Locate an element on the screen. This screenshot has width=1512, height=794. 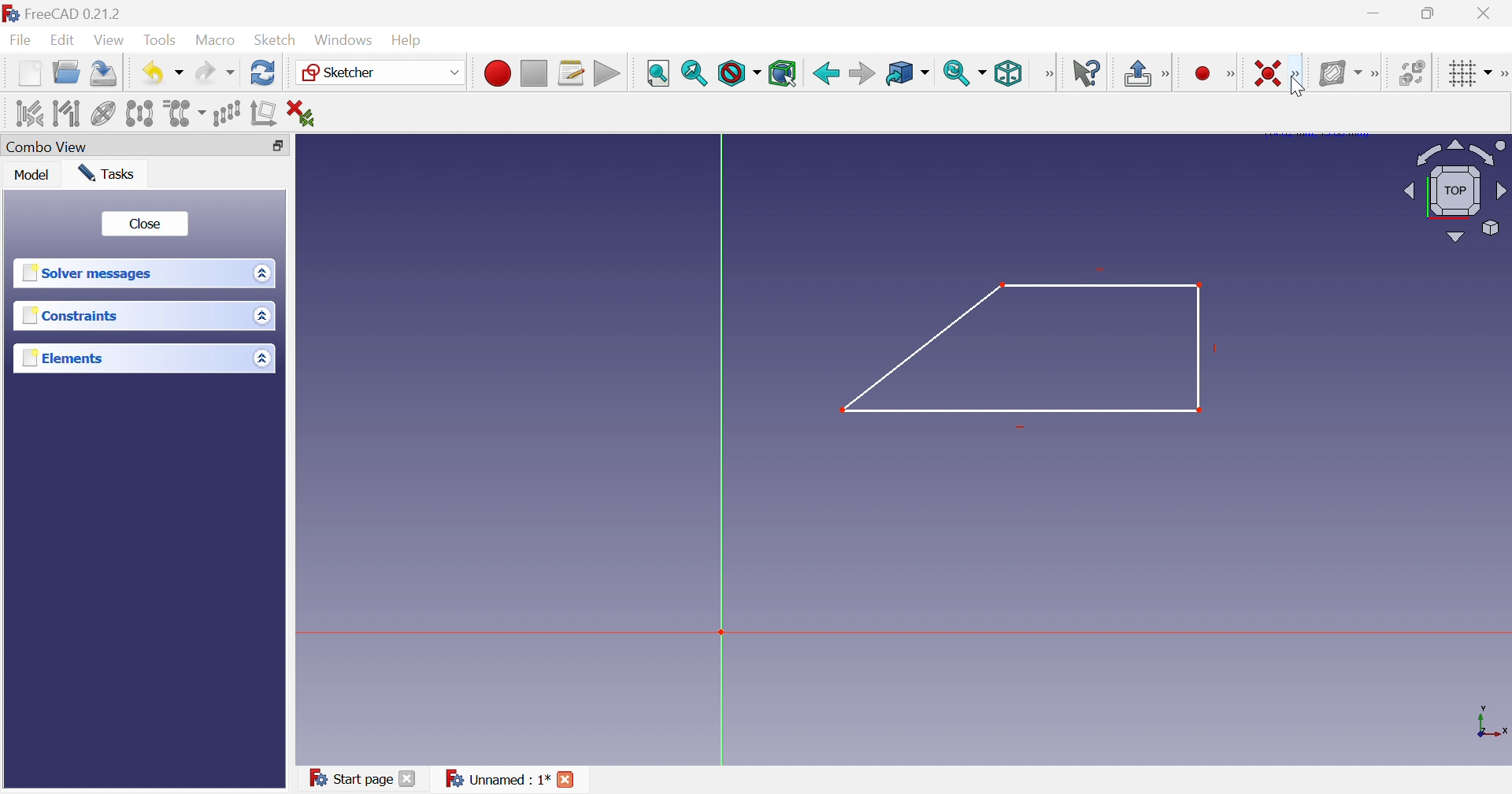
Close is located at coordinates (569, 781).